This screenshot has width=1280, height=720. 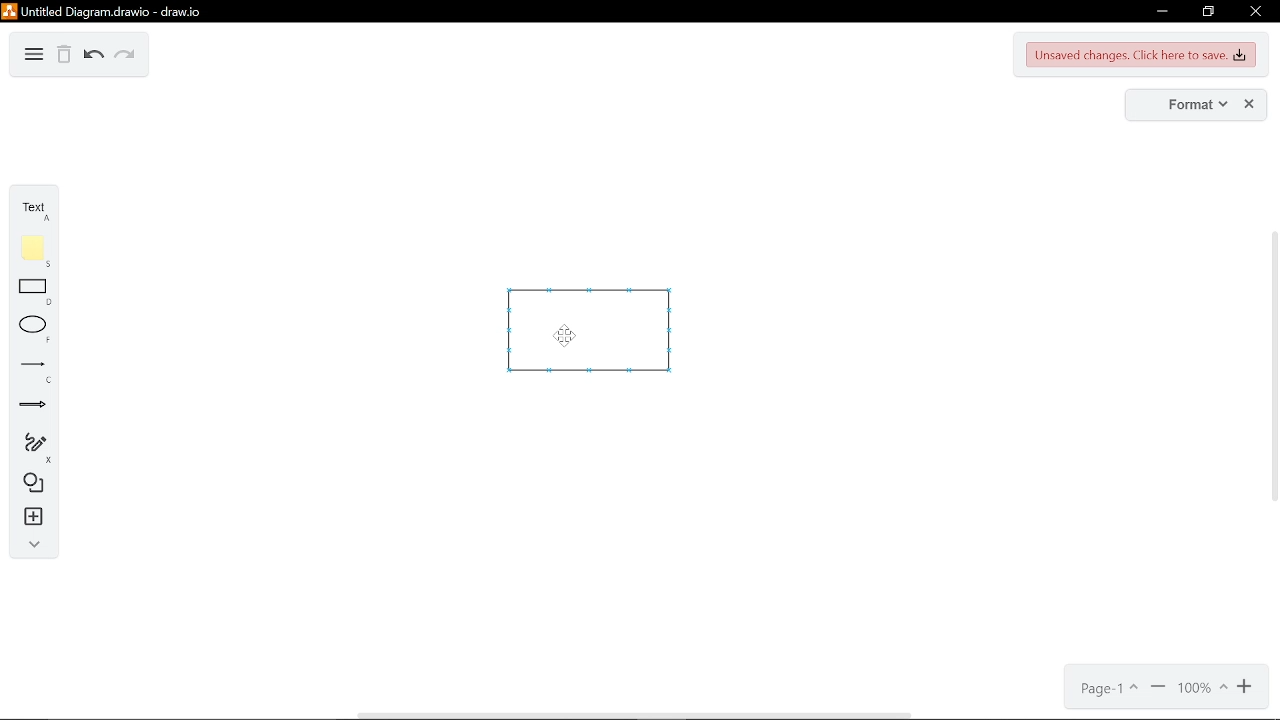 I want to click on undo, so click(x=94, y=57).